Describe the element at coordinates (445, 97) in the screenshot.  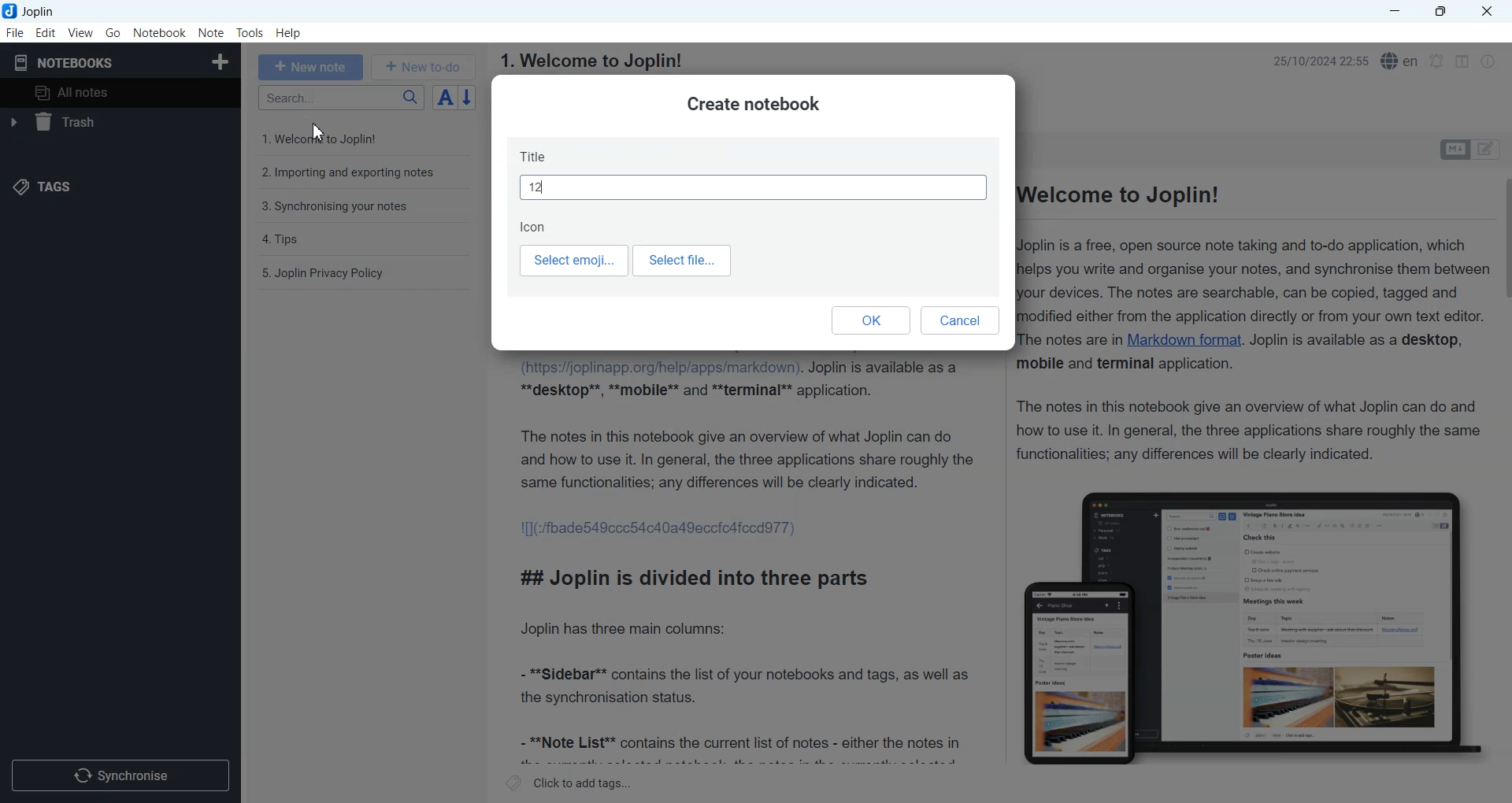
I see `Toggle sort order field` at that location.